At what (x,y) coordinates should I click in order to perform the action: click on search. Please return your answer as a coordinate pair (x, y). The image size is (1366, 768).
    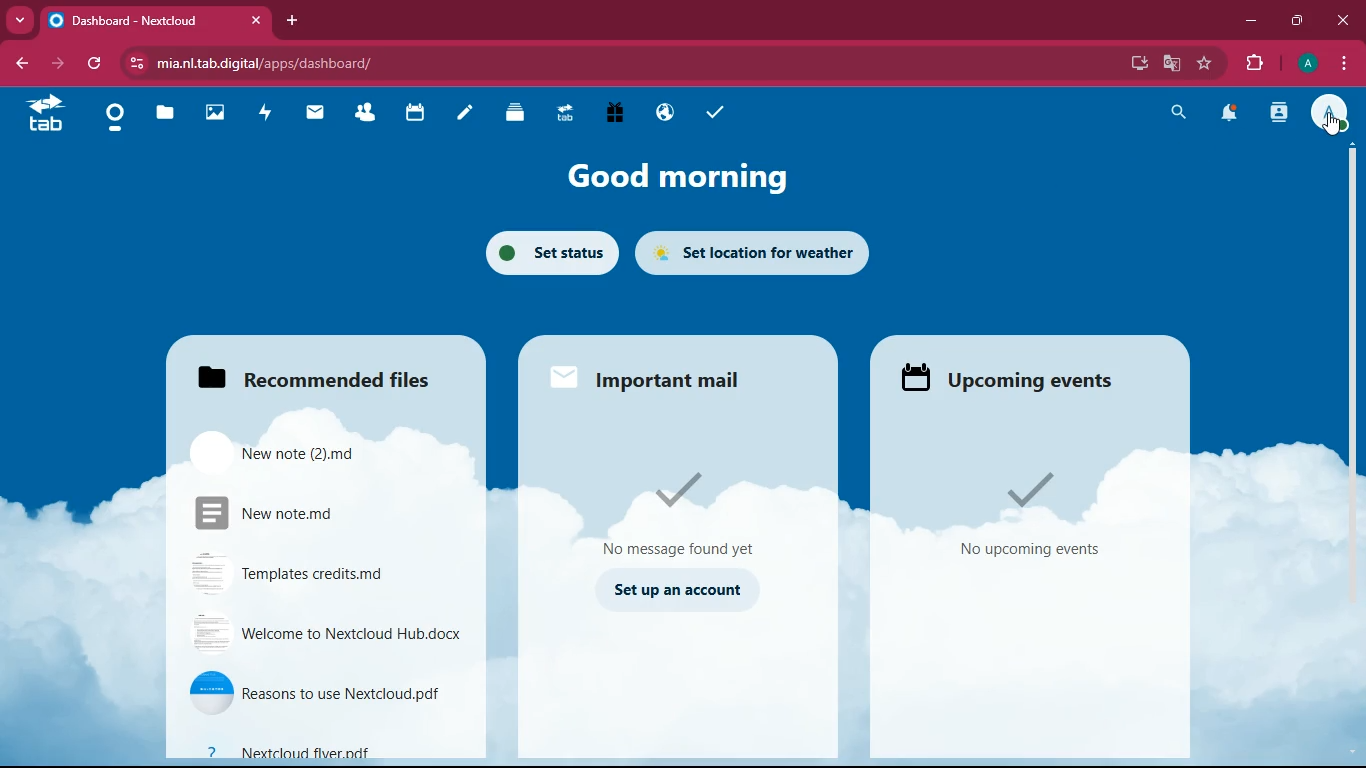
    Looking at the image, I should click on (1177, 112).